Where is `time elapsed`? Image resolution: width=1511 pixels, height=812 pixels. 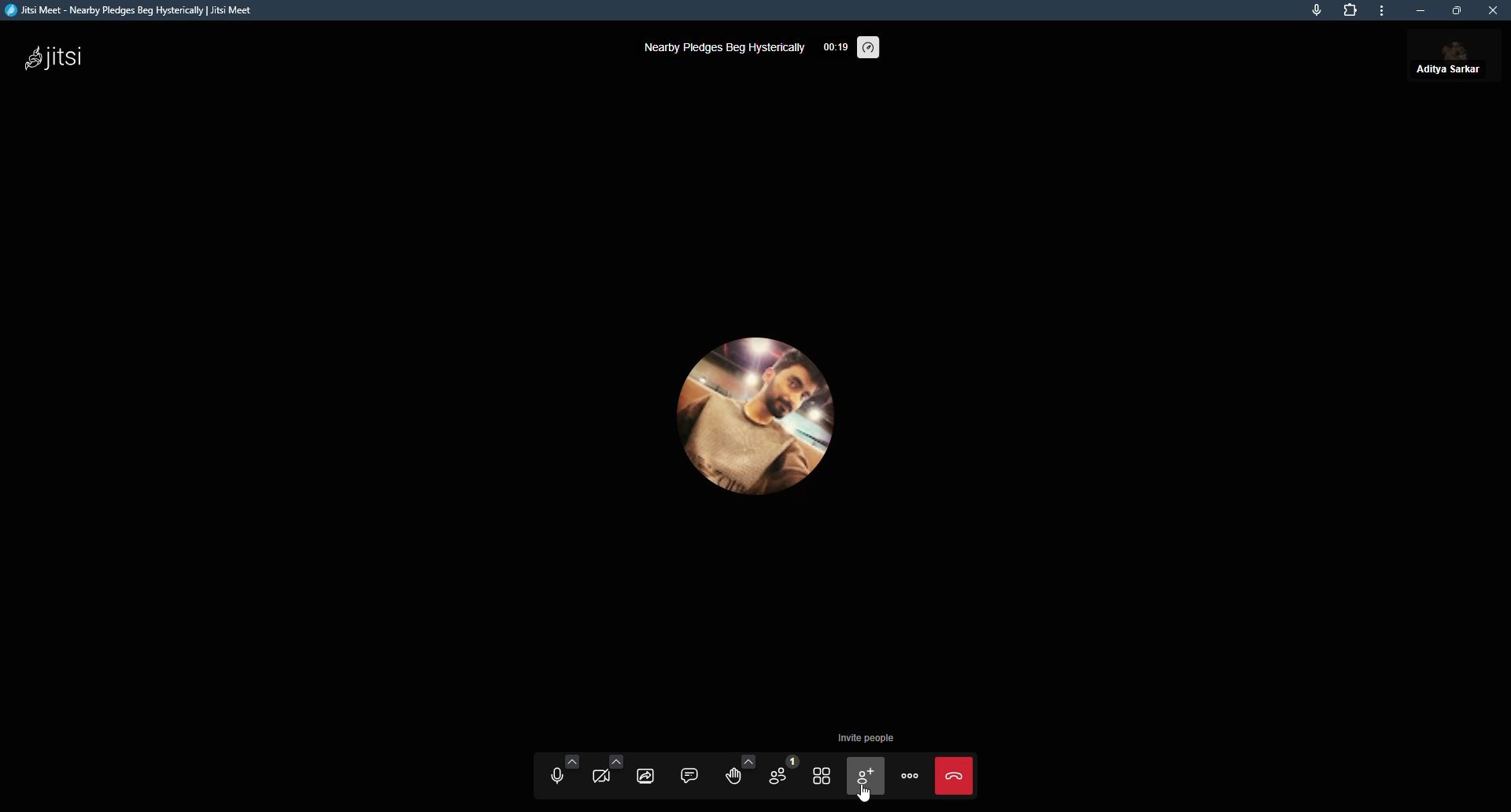
time elapsed is located at coordinates (834, 47).